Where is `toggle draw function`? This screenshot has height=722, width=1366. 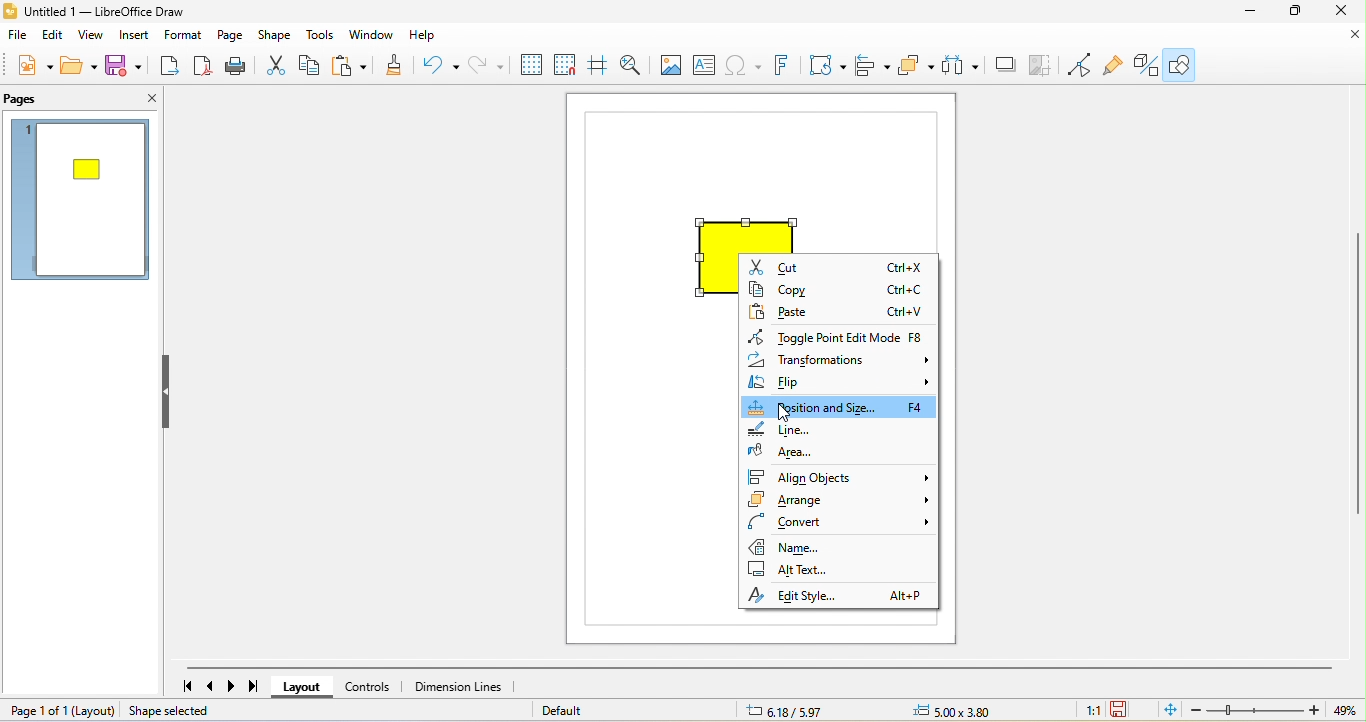
toggle draw function is located at coordinates (1144, 63).